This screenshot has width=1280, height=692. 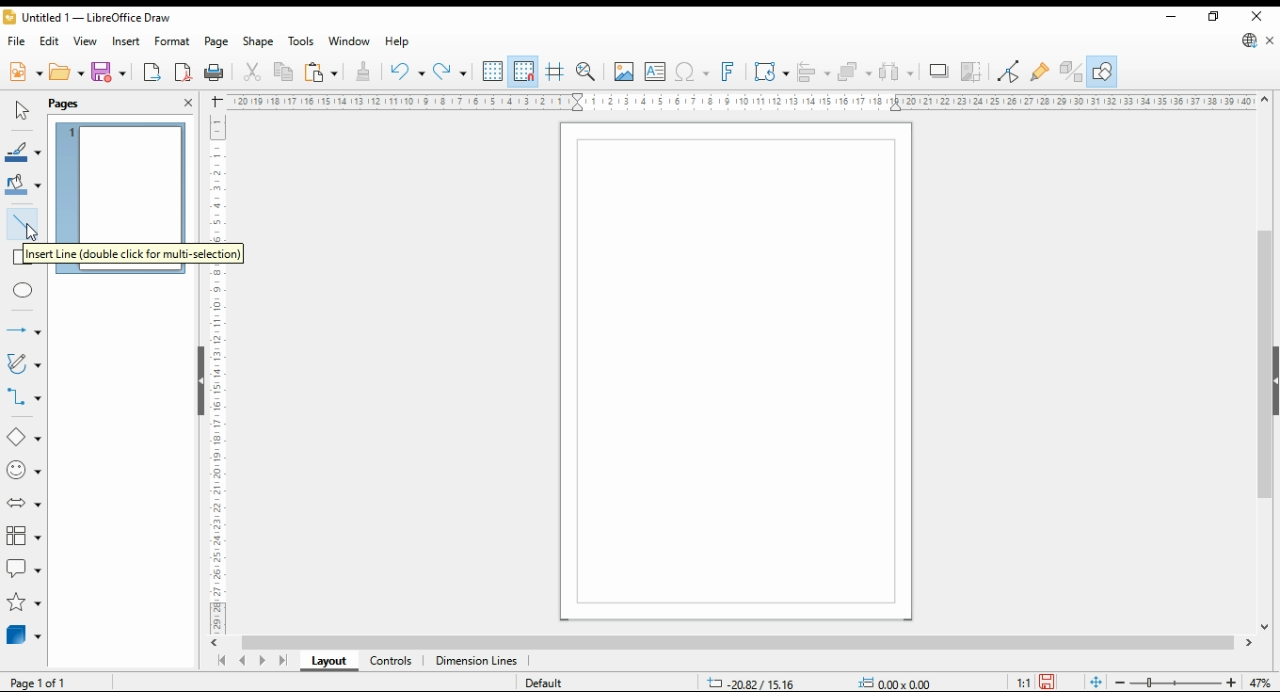 I want to click on window, so click(x=350, y=43).